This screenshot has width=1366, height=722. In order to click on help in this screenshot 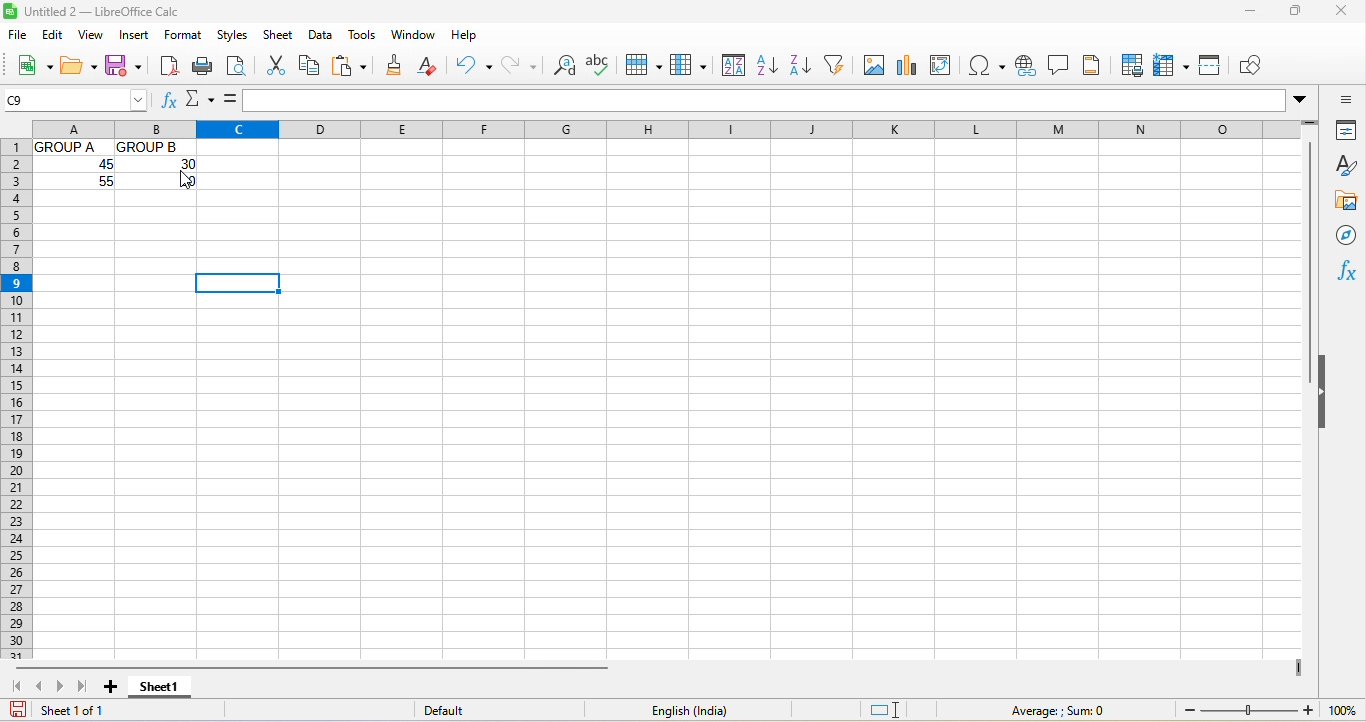, I will do `click(465, 36)`.